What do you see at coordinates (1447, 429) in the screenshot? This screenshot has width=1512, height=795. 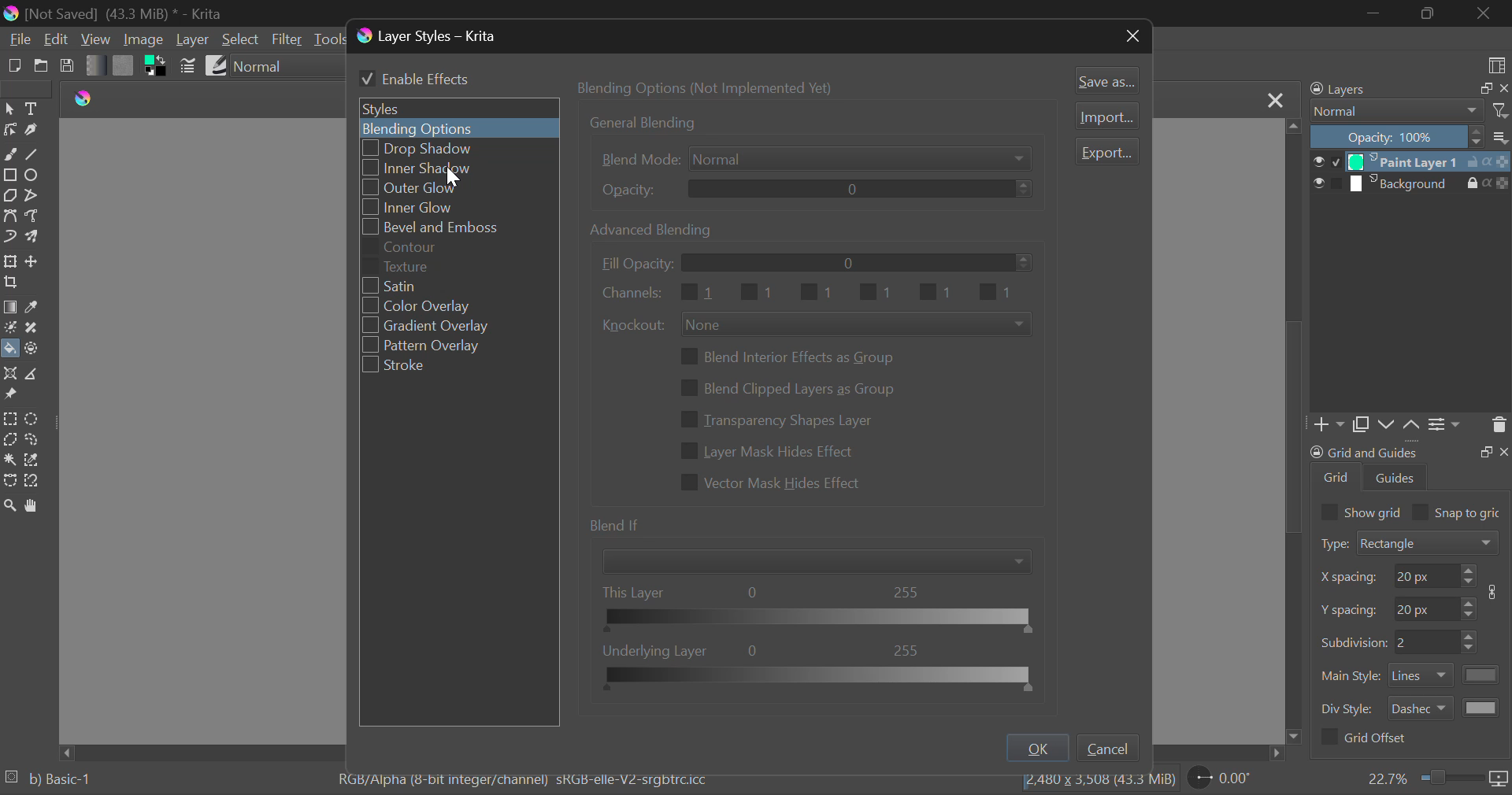 I see `Settings` at bounding box center [1447, 429].